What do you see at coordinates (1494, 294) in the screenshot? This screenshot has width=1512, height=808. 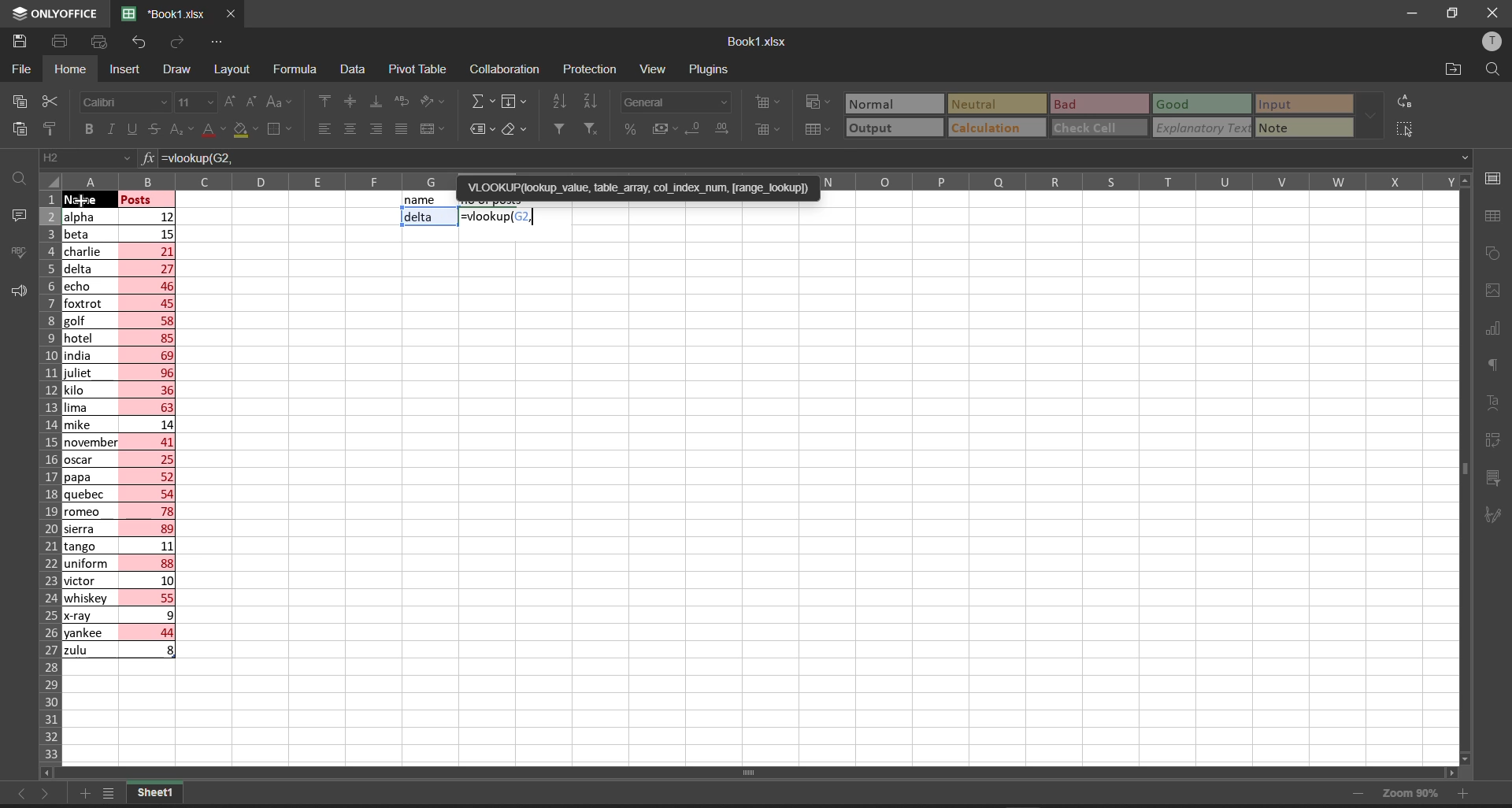 I see `image settings` at bounding box center [1494, 294].